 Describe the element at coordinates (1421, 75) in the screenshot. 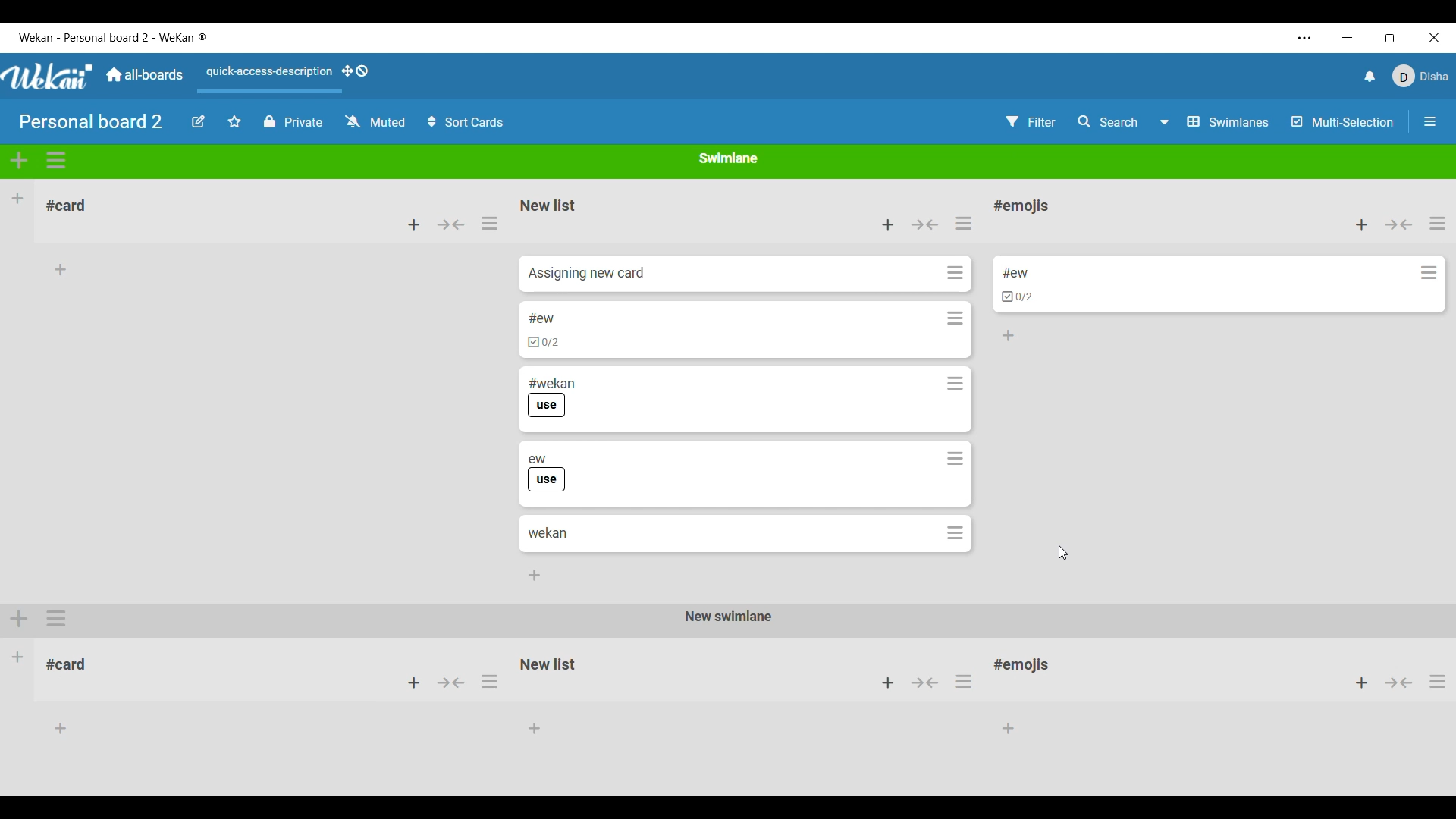

I see `Current account` at that location.